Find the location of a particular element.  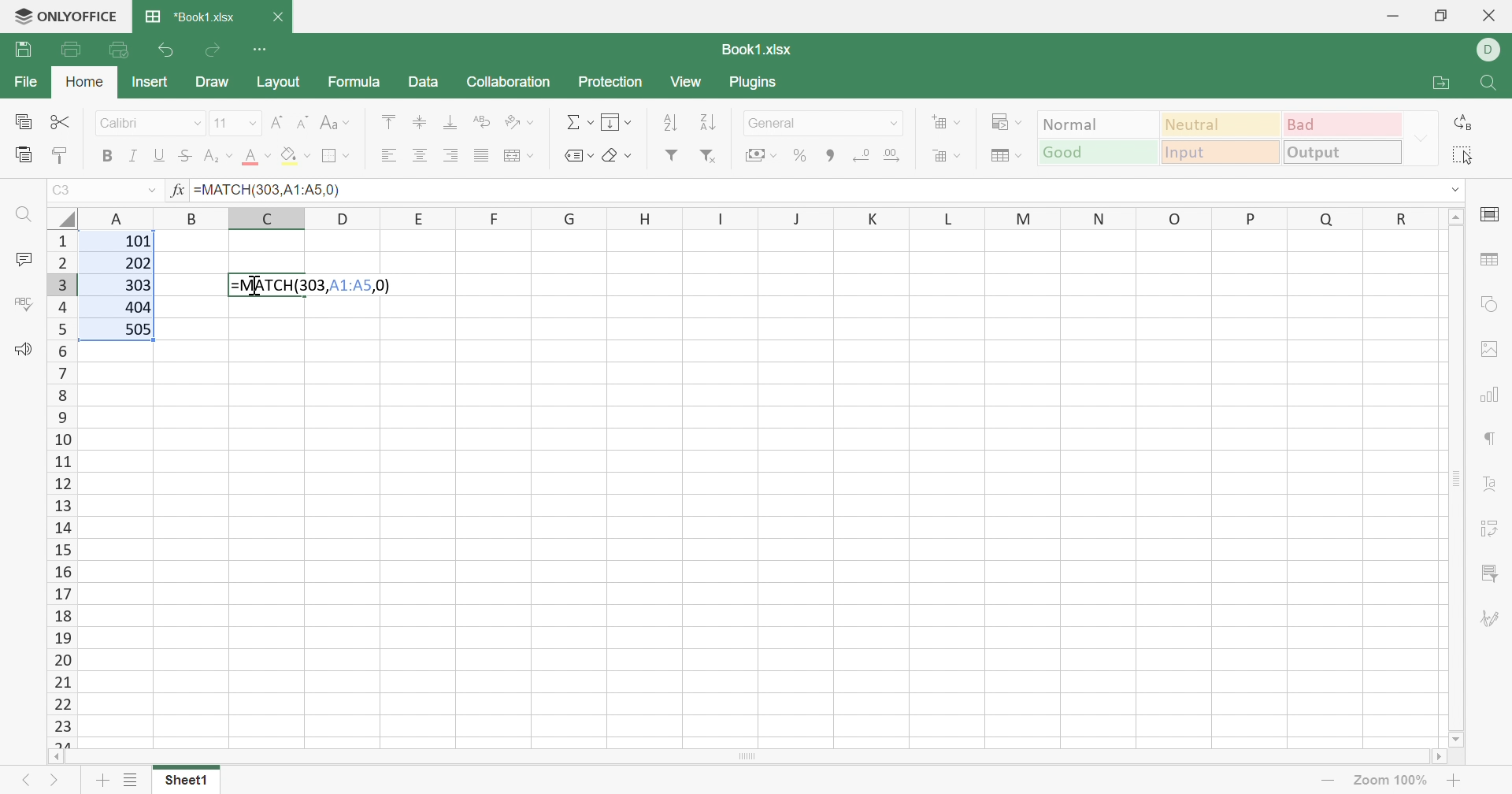

Data is located at coordinates (427, 83).